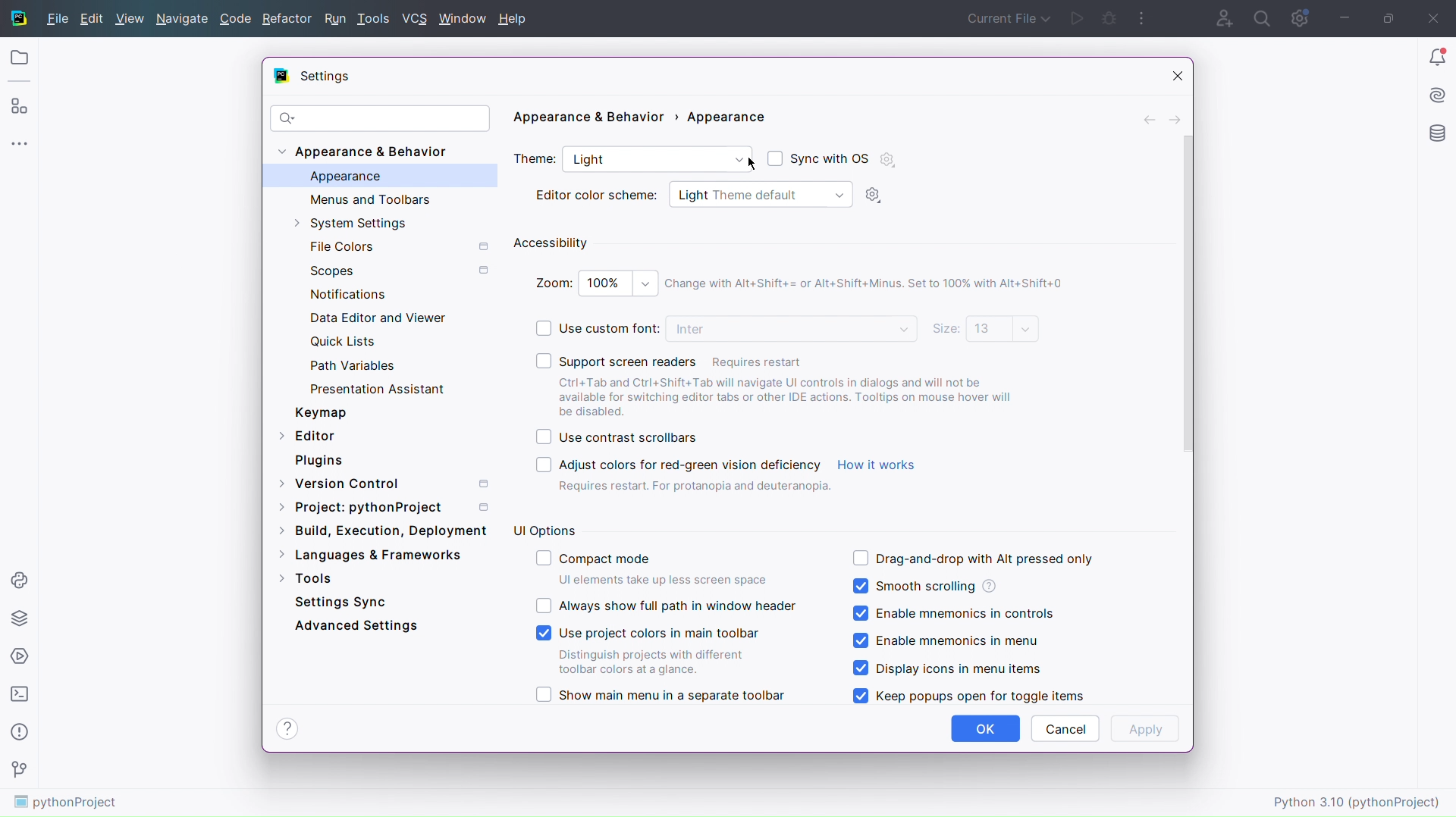 The height and width of the screenshot is (817, 1456). Describe the element at coordinates (594, 280) in the screenshot. I see `Zoom` at that location.